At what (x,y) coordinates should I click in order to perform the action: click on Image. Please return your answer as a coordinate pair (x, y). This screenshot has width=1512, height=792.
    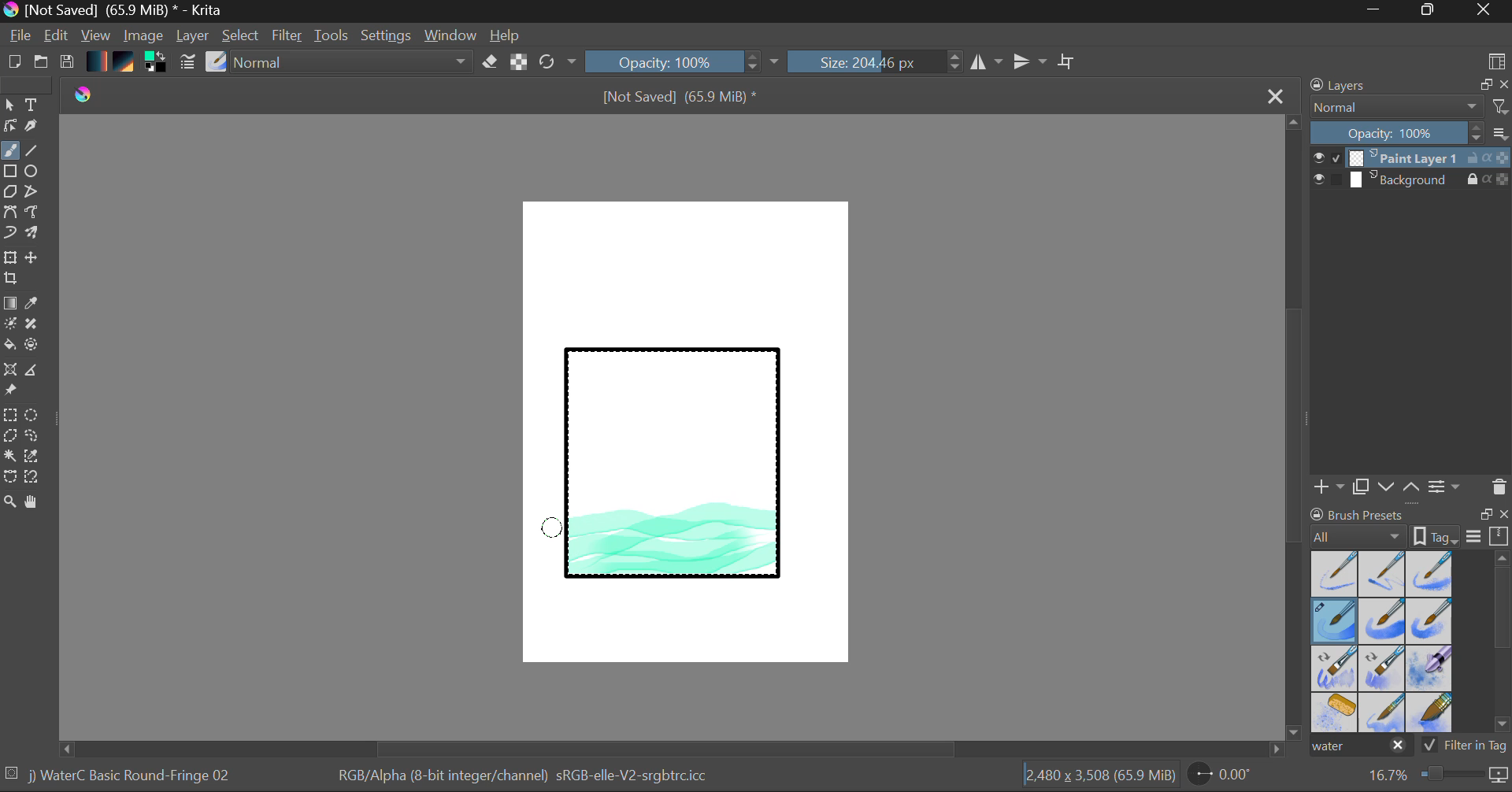
    Looking at the image, I should click on (145, 37).